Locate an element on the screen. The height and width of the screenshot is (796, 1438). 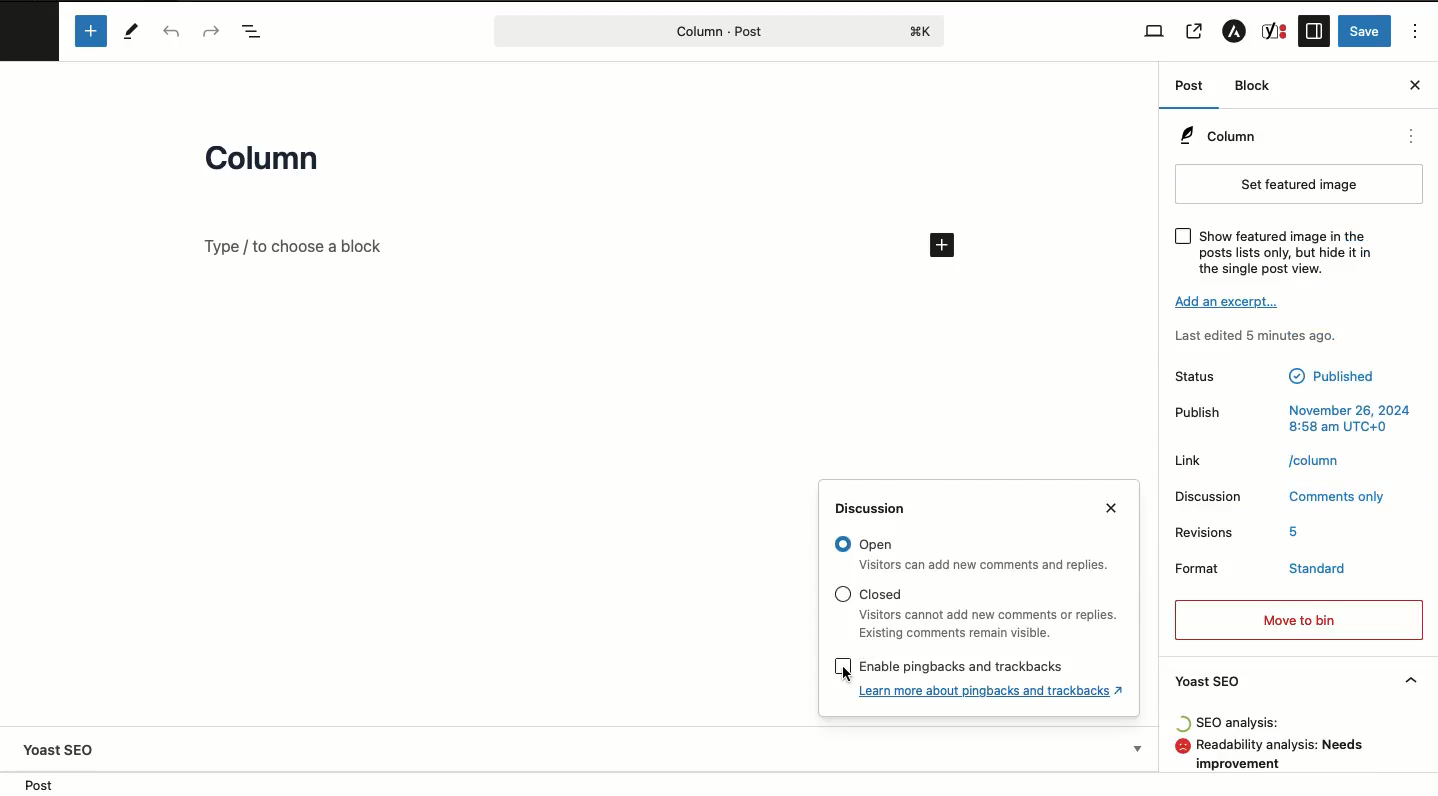
Yoast SEO is located at coordinates (59, 750).